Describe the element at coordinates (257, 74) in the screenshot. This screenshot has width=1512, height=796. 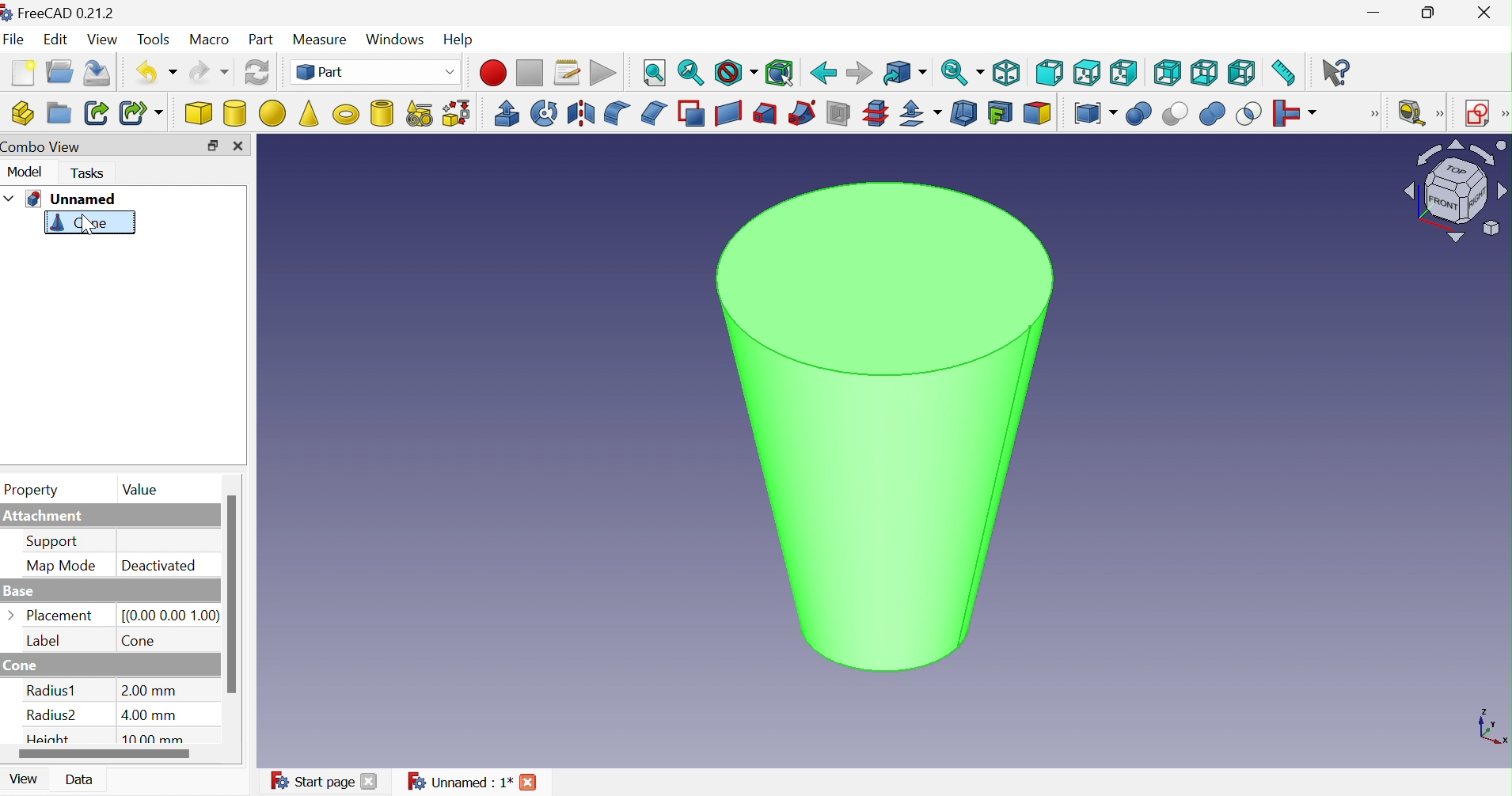
I see `Refresh` at that location.